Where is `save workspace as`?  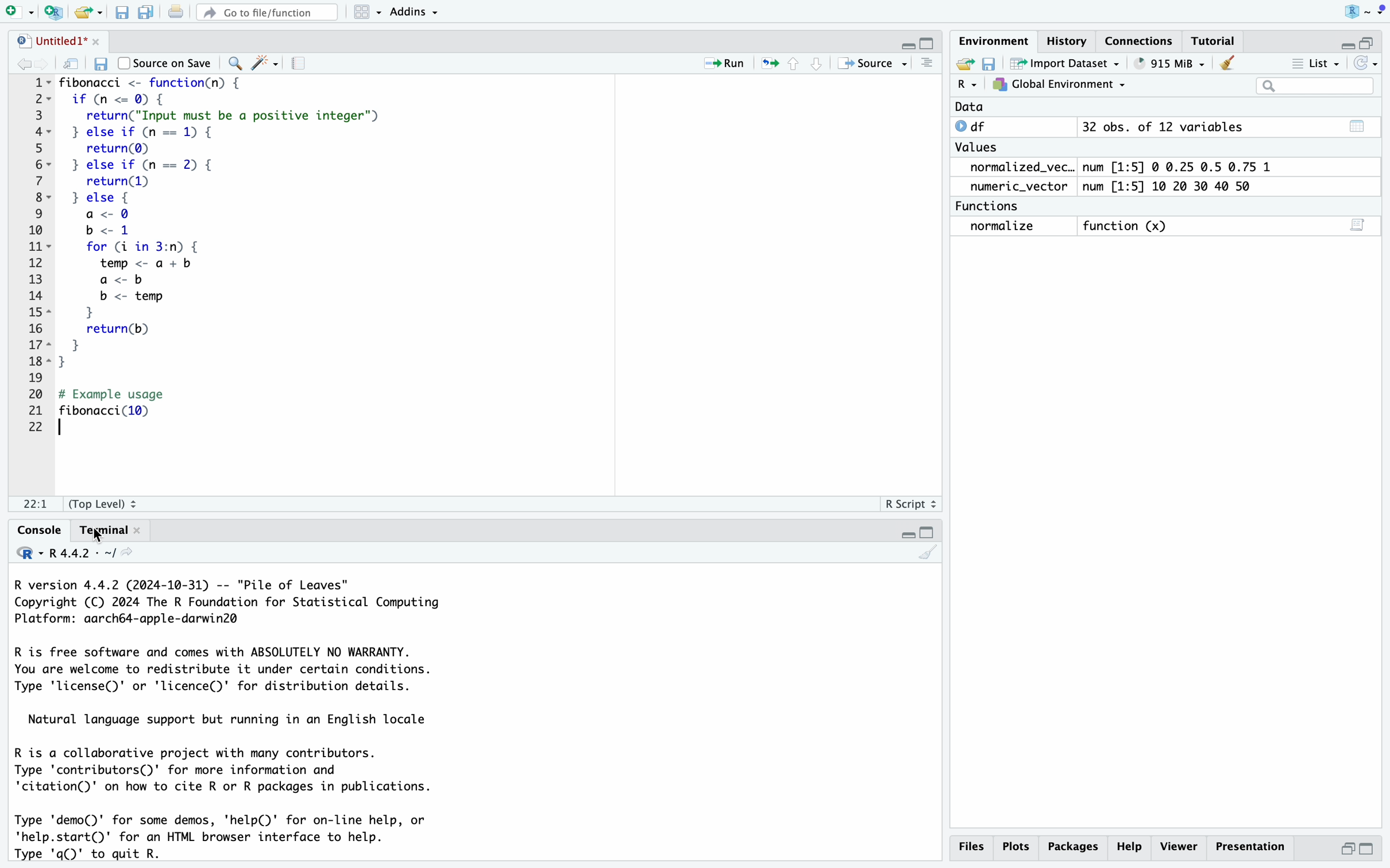
save workspace as is located at coordinates (993, 64).